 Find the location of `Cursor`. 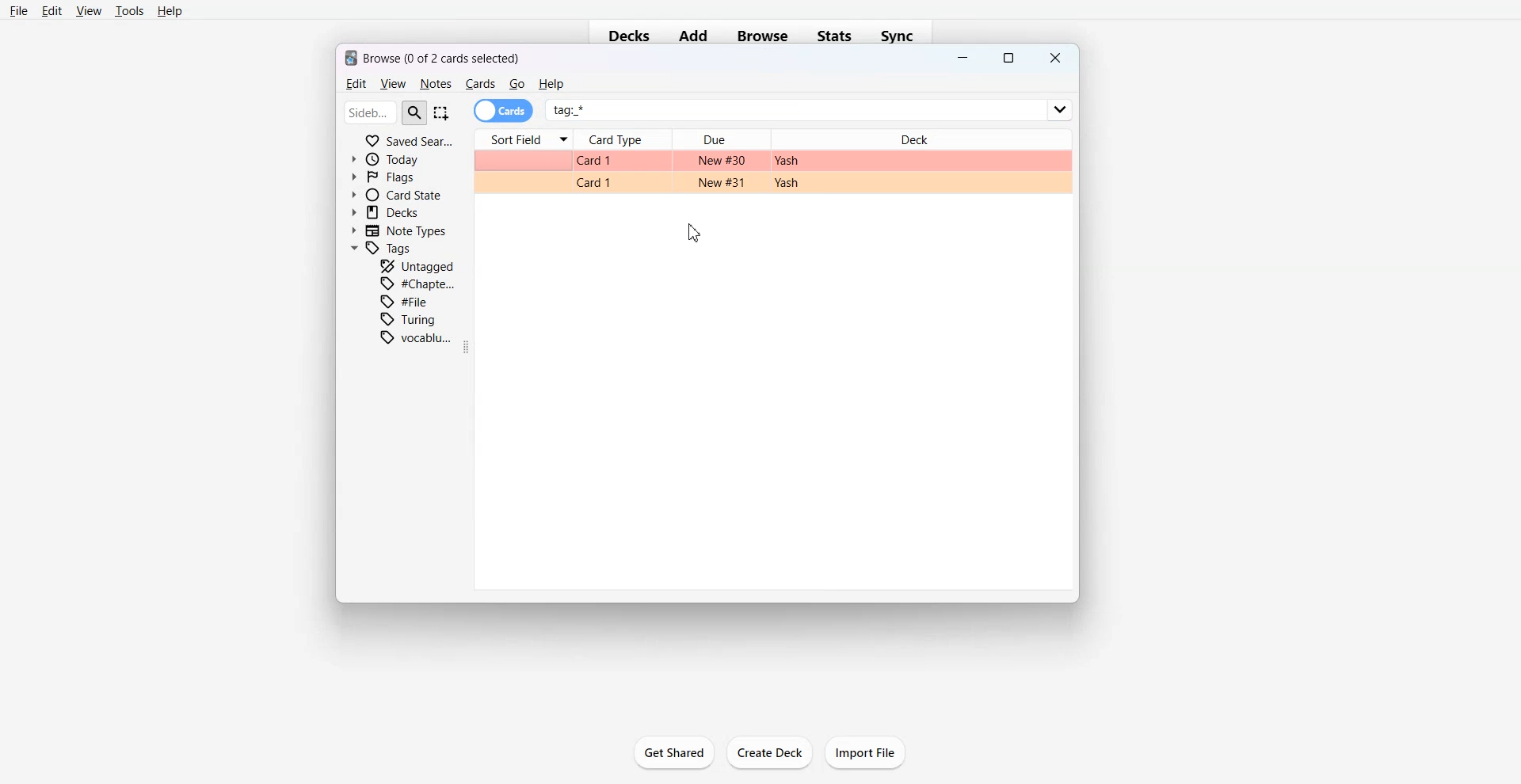

Cursor is located at coordinates (696, 233).